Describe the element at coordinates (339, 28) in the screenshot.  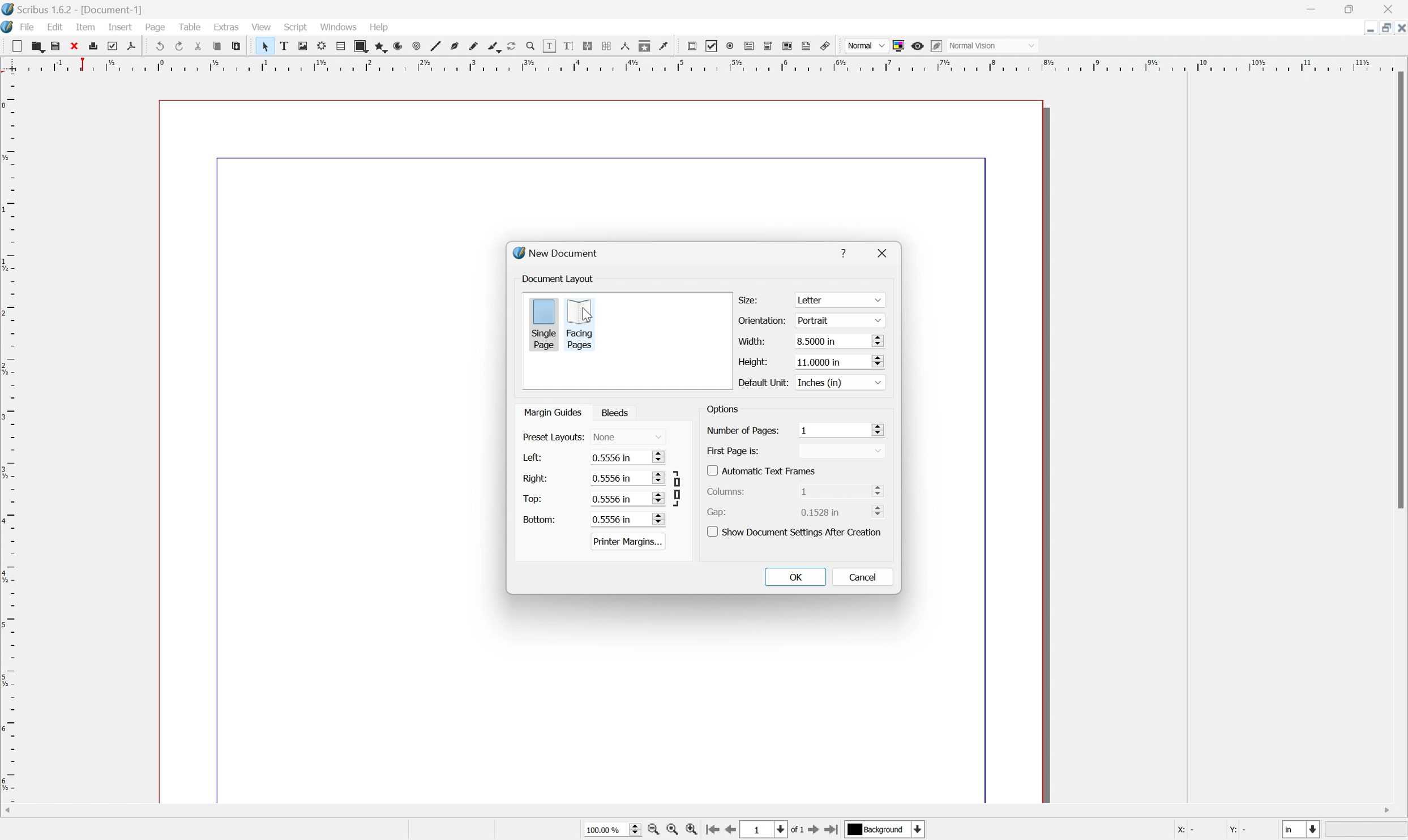
I see `Windows` at that location.